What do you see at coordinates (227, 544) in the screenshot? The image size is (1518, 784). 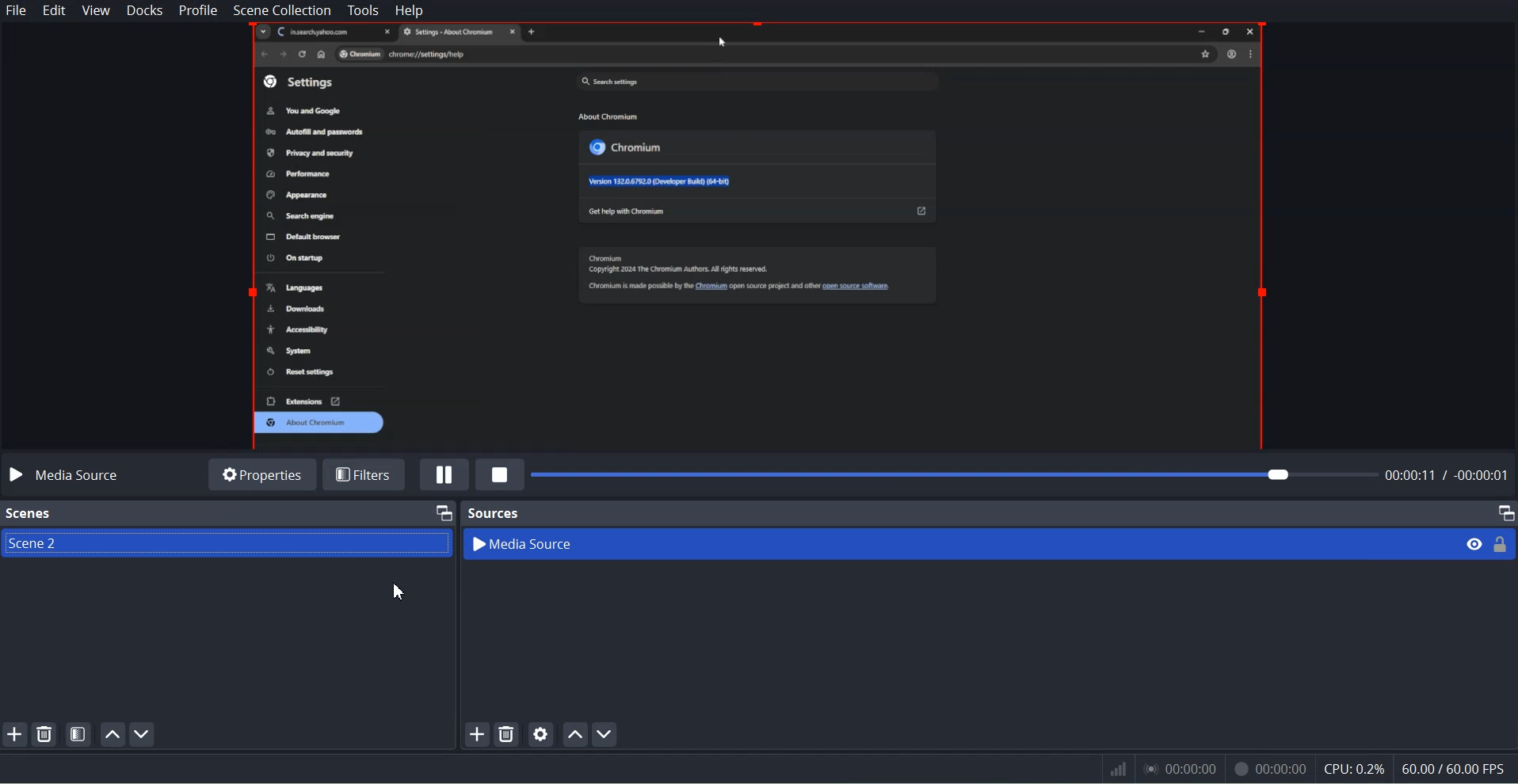 I see `Scene` at bounding box center [227, 544].